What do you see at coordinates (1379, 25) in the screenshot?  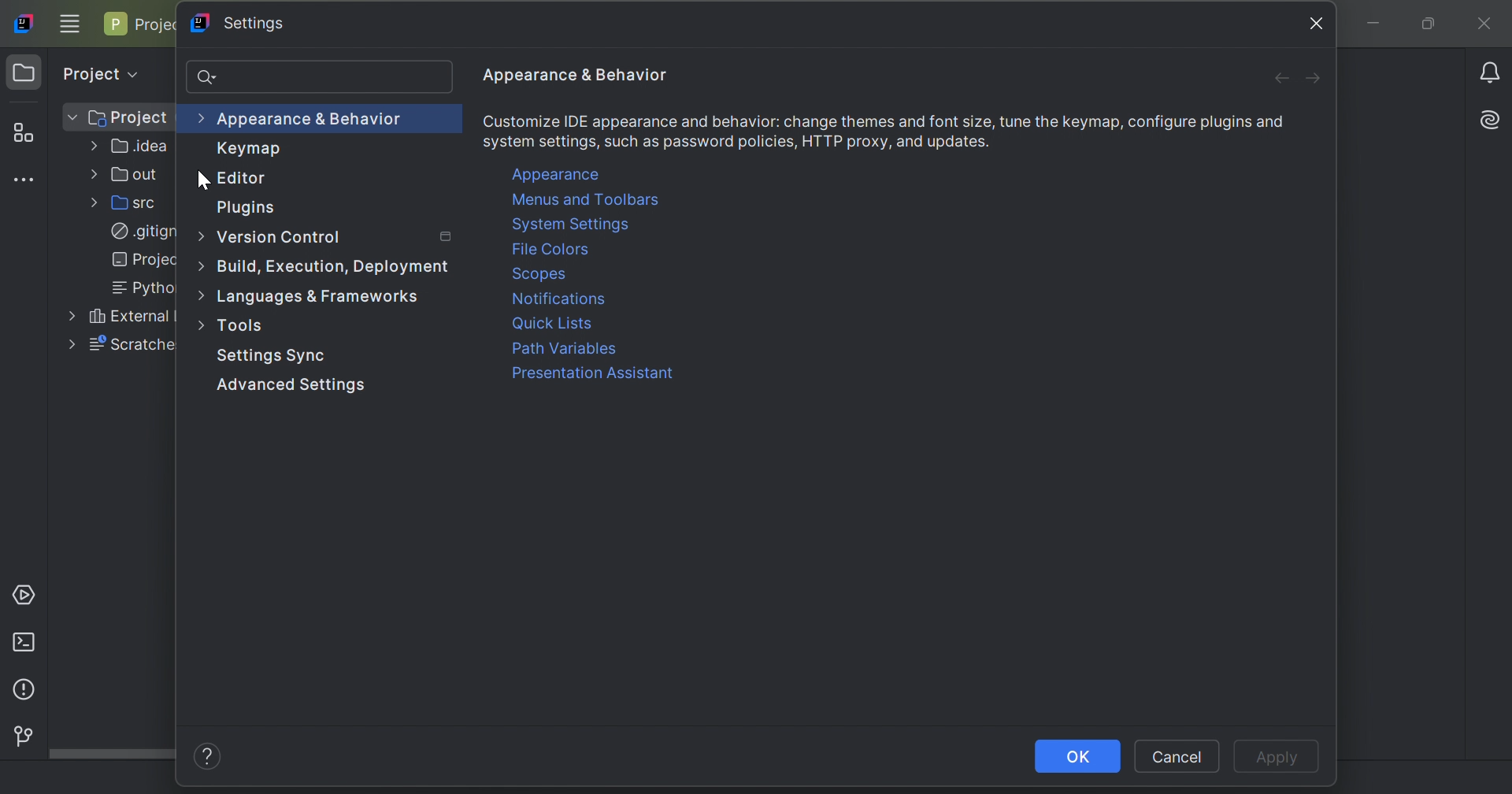 I see `Minimize` at bounding box center [1379, 25].